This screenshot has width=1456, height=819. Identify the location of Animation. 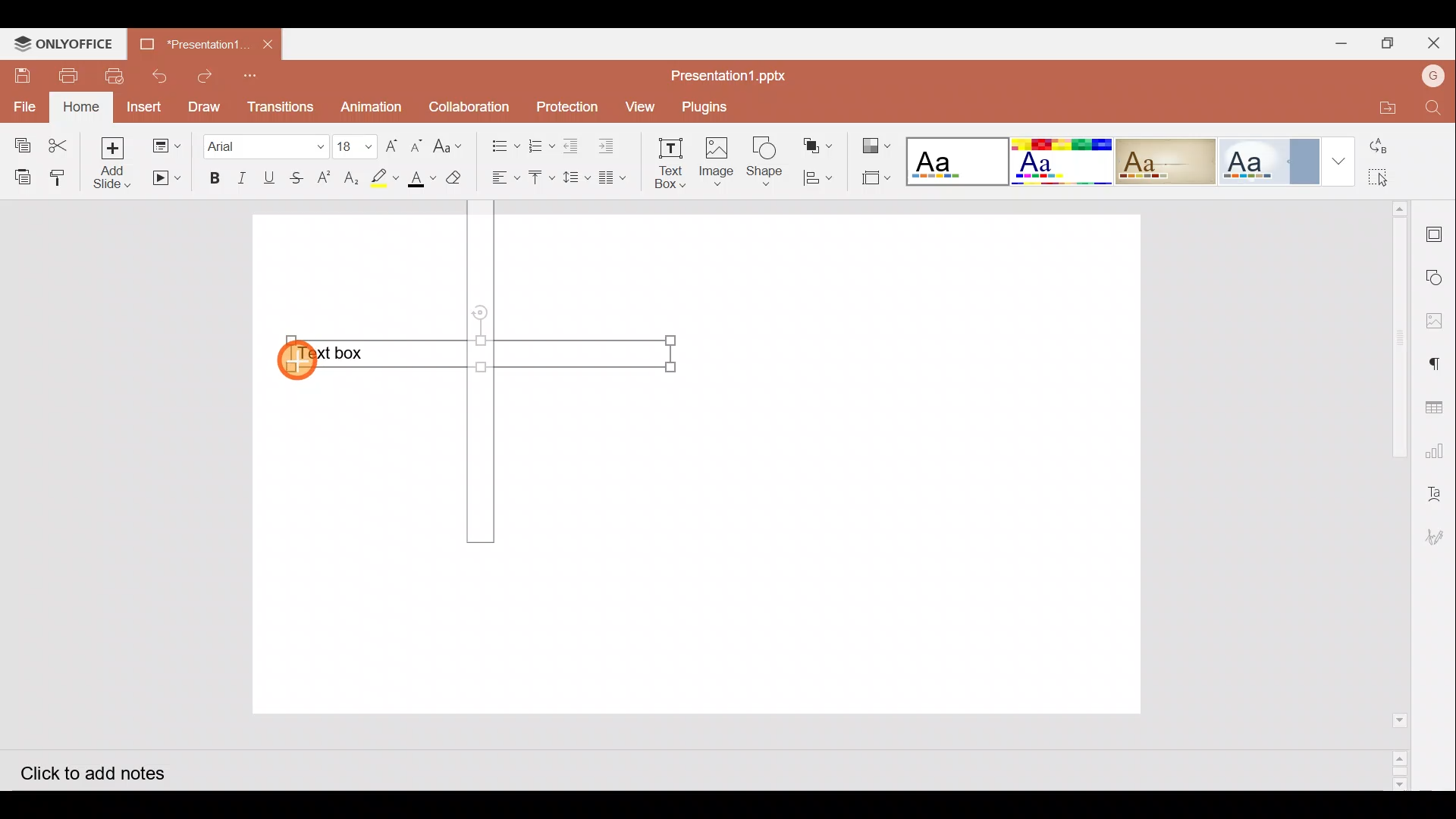
(372, 107).